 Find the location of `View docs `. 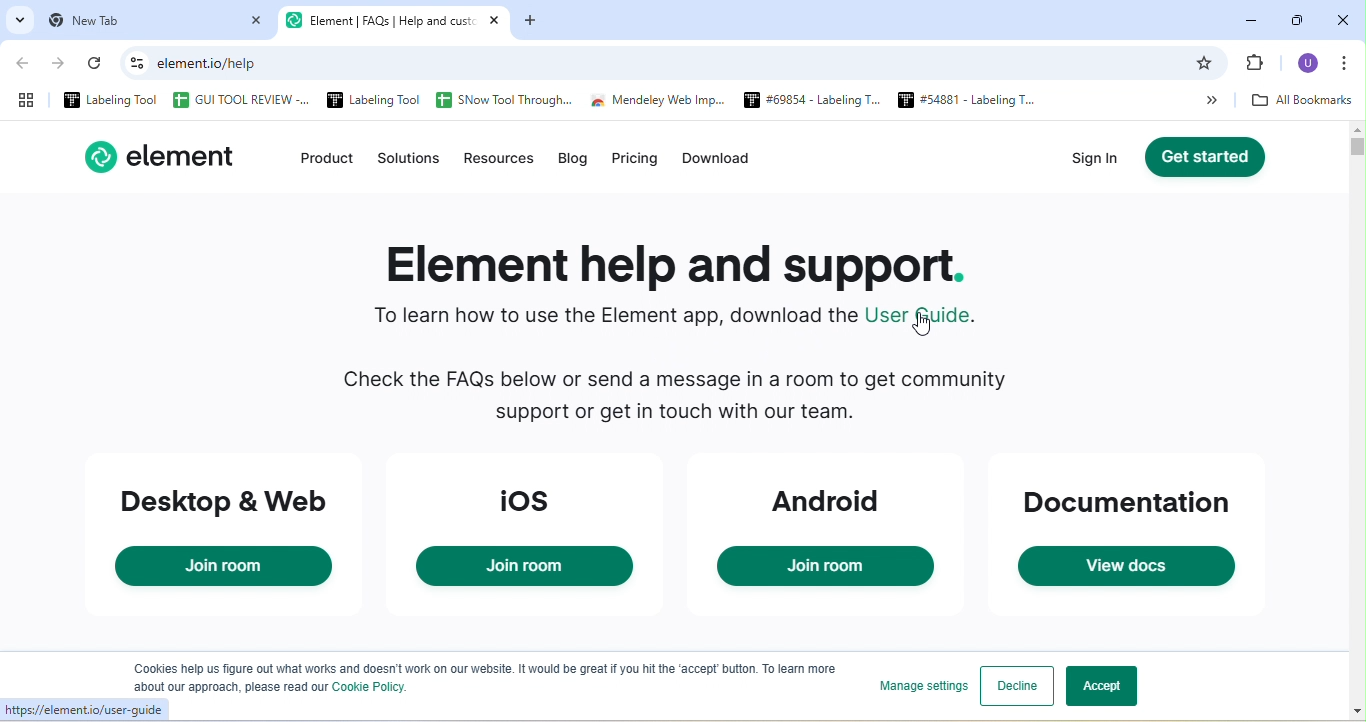

View docs  is located at coordinates (1133, 564).